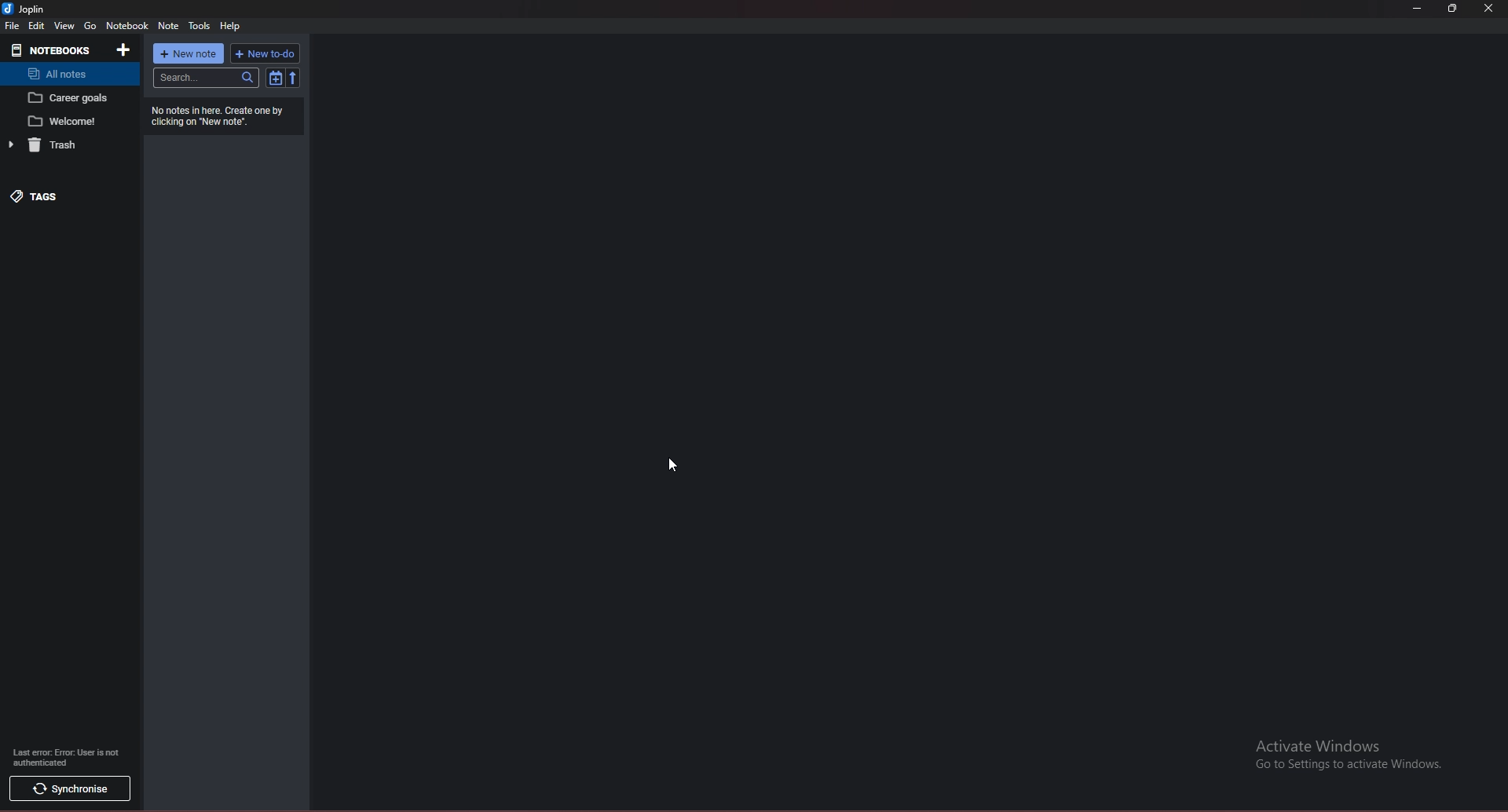 Image resolution: width=1508 pixels, height=812 pixels. I want to click on welcome, so click(70, 121).